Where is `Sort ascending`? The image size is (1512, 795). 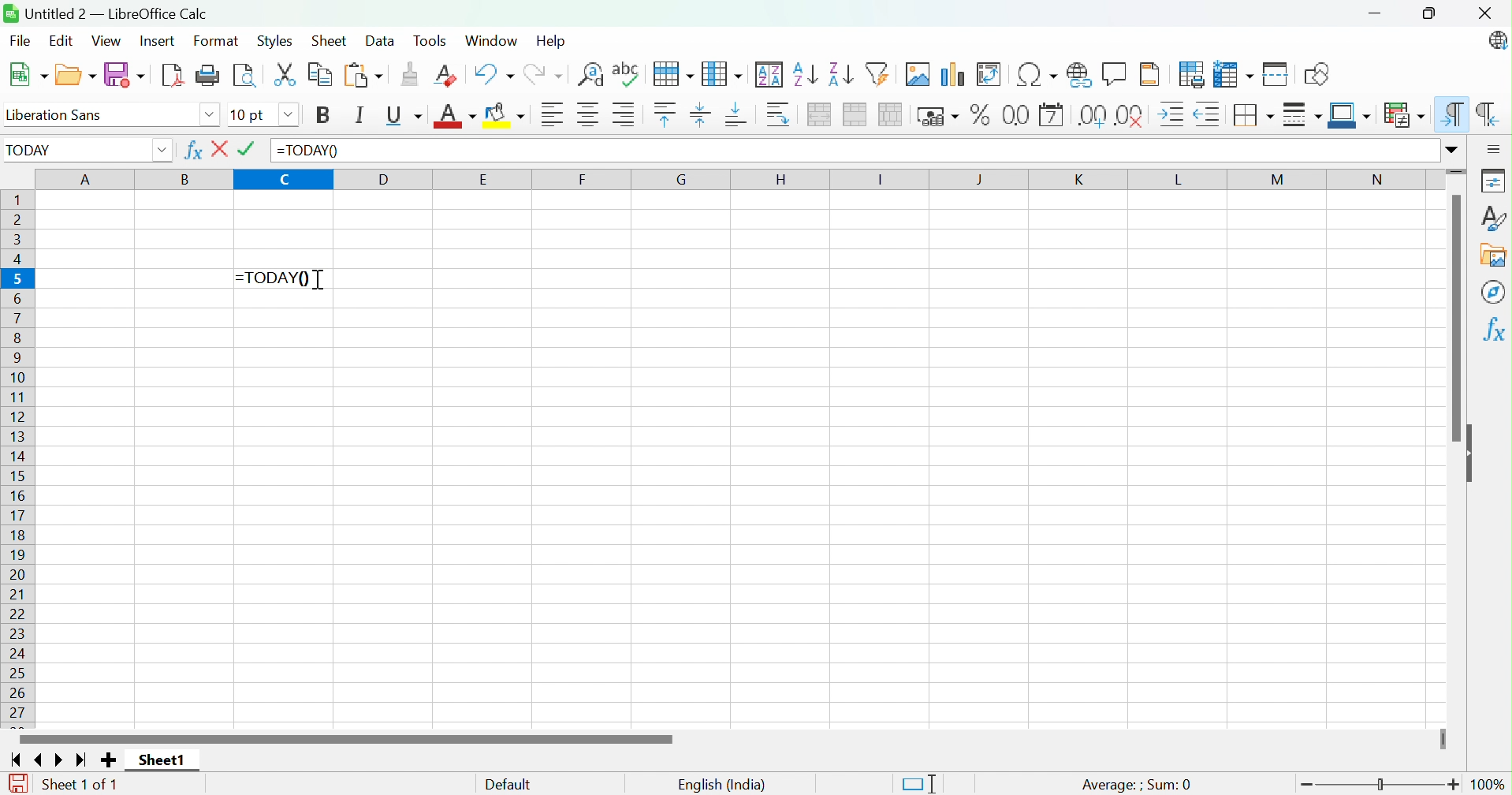 Sort ascending is located at coordinates (805, 75).